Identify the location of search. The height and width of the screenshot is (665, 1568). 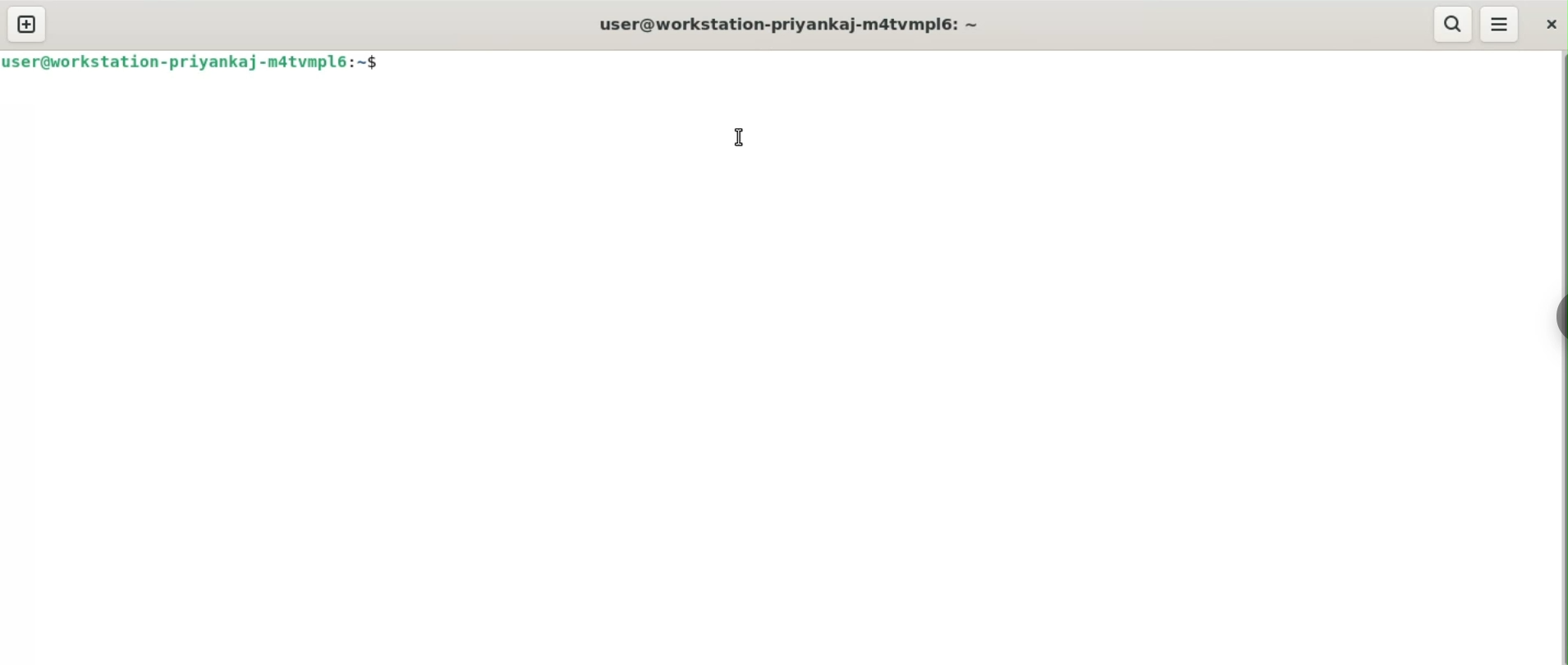
(1453, 24).